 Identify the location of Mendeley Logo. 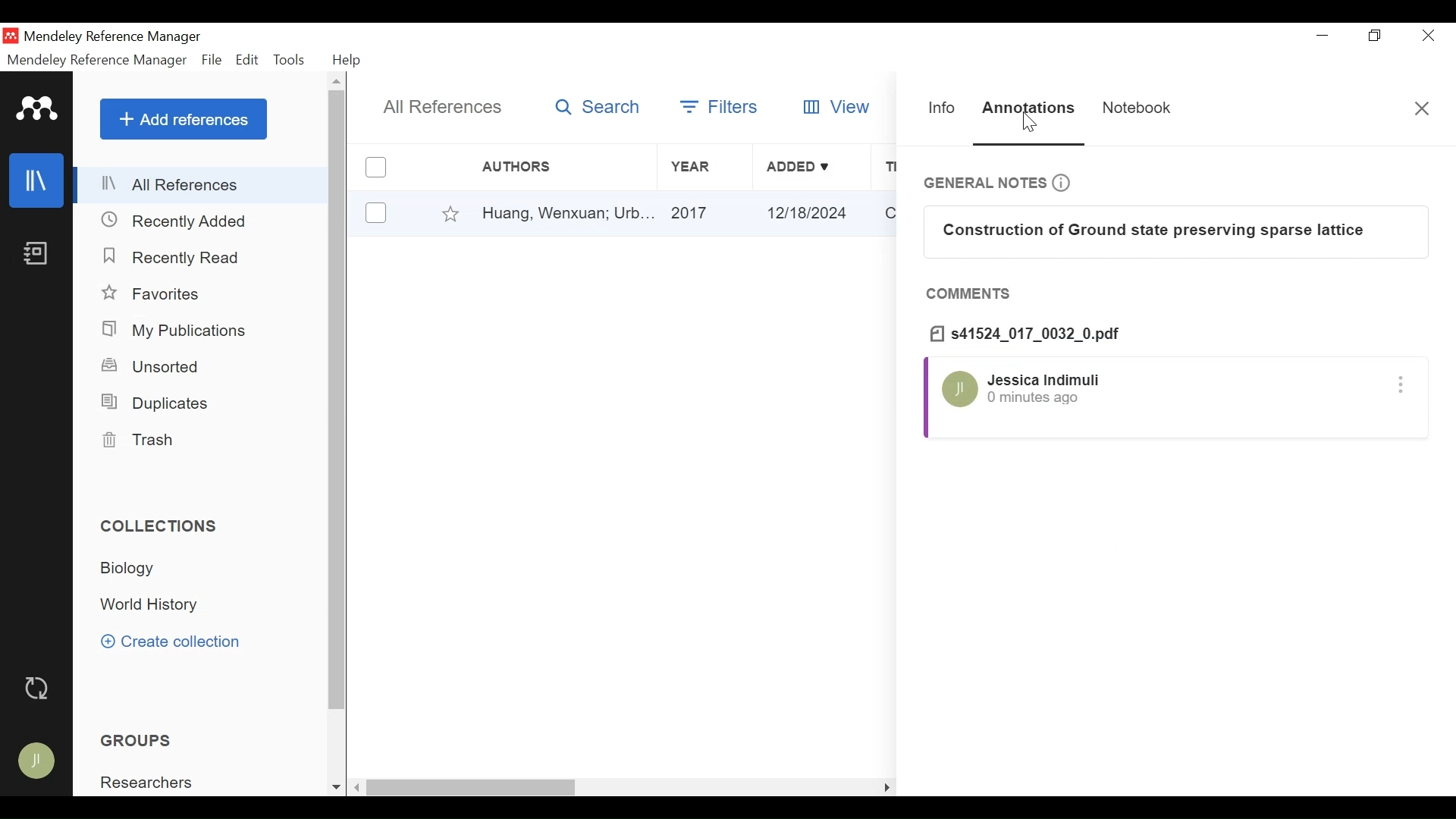
(38, 108).